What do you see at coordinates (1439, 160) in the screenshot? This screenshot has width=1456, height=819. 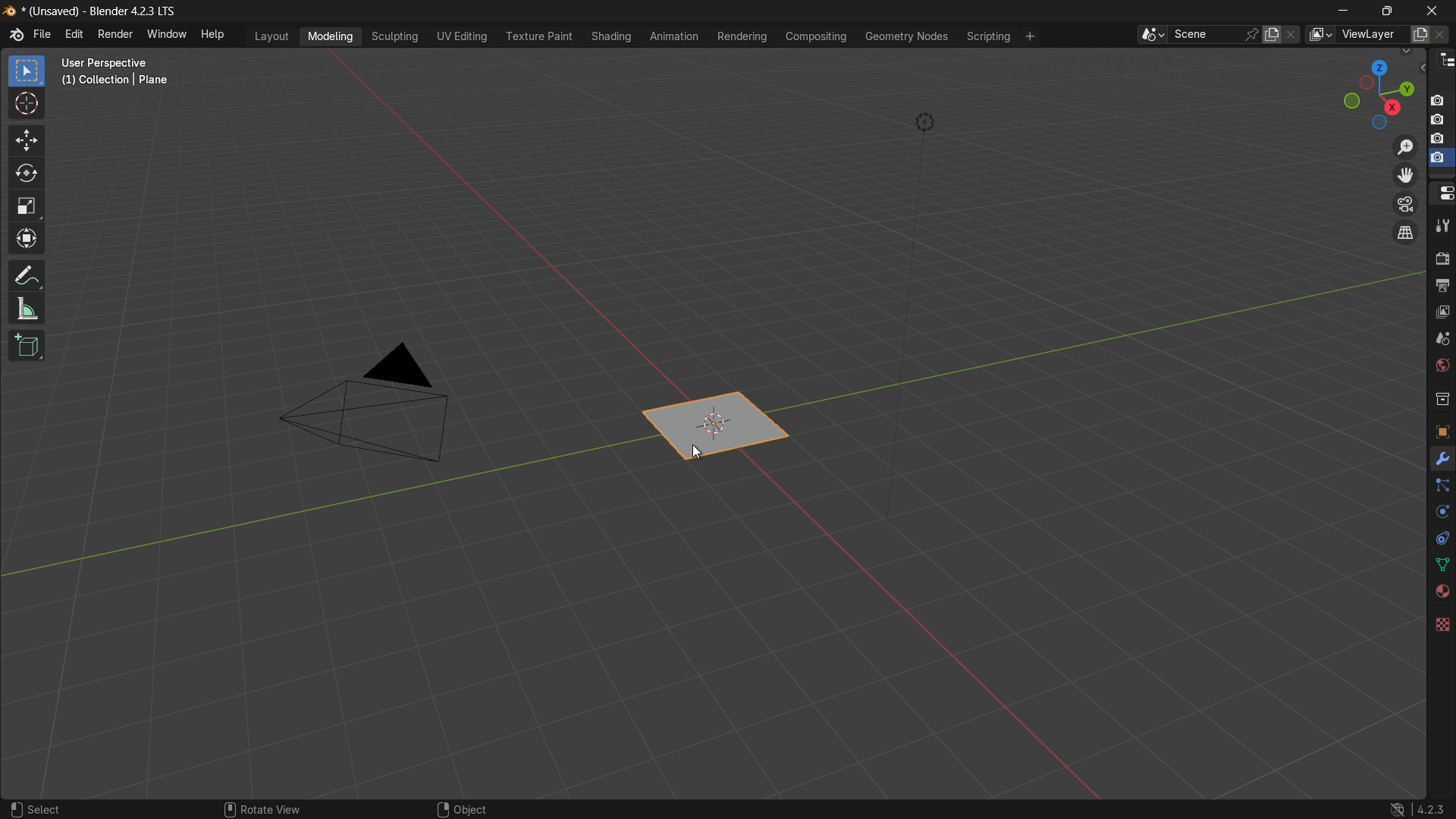 I see `selected capture` at bounding box center [1439, 160].